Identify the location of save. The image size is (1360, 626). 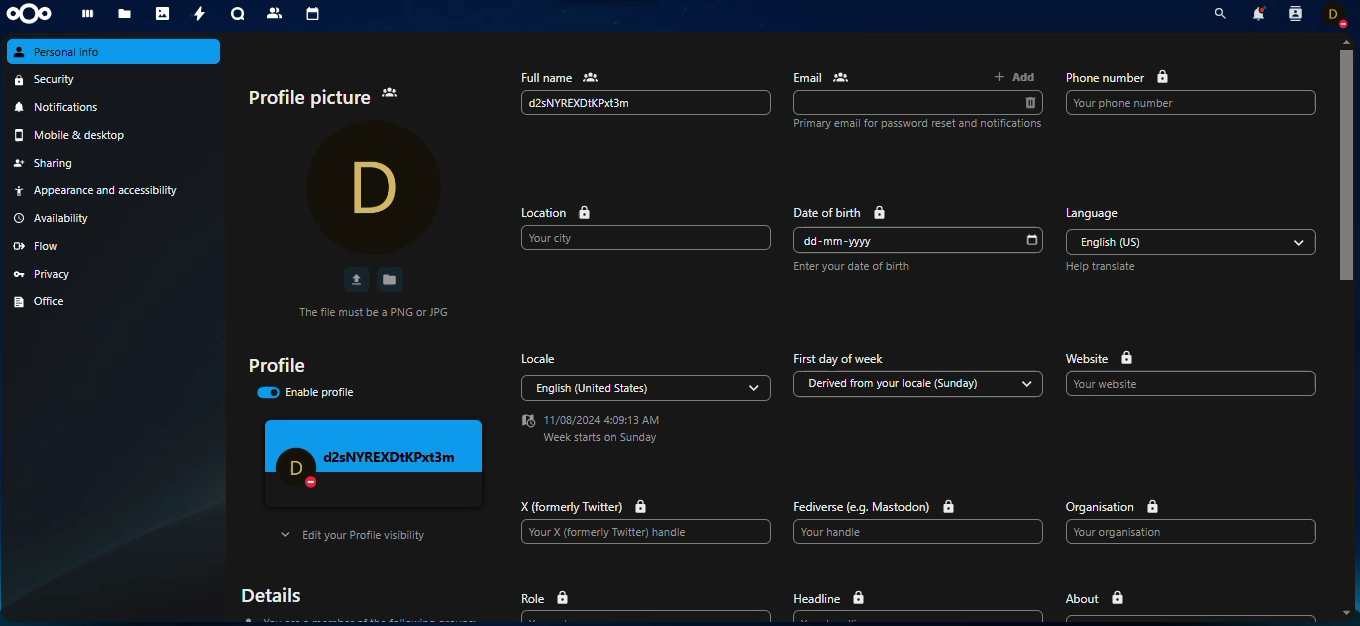
(389, 280).